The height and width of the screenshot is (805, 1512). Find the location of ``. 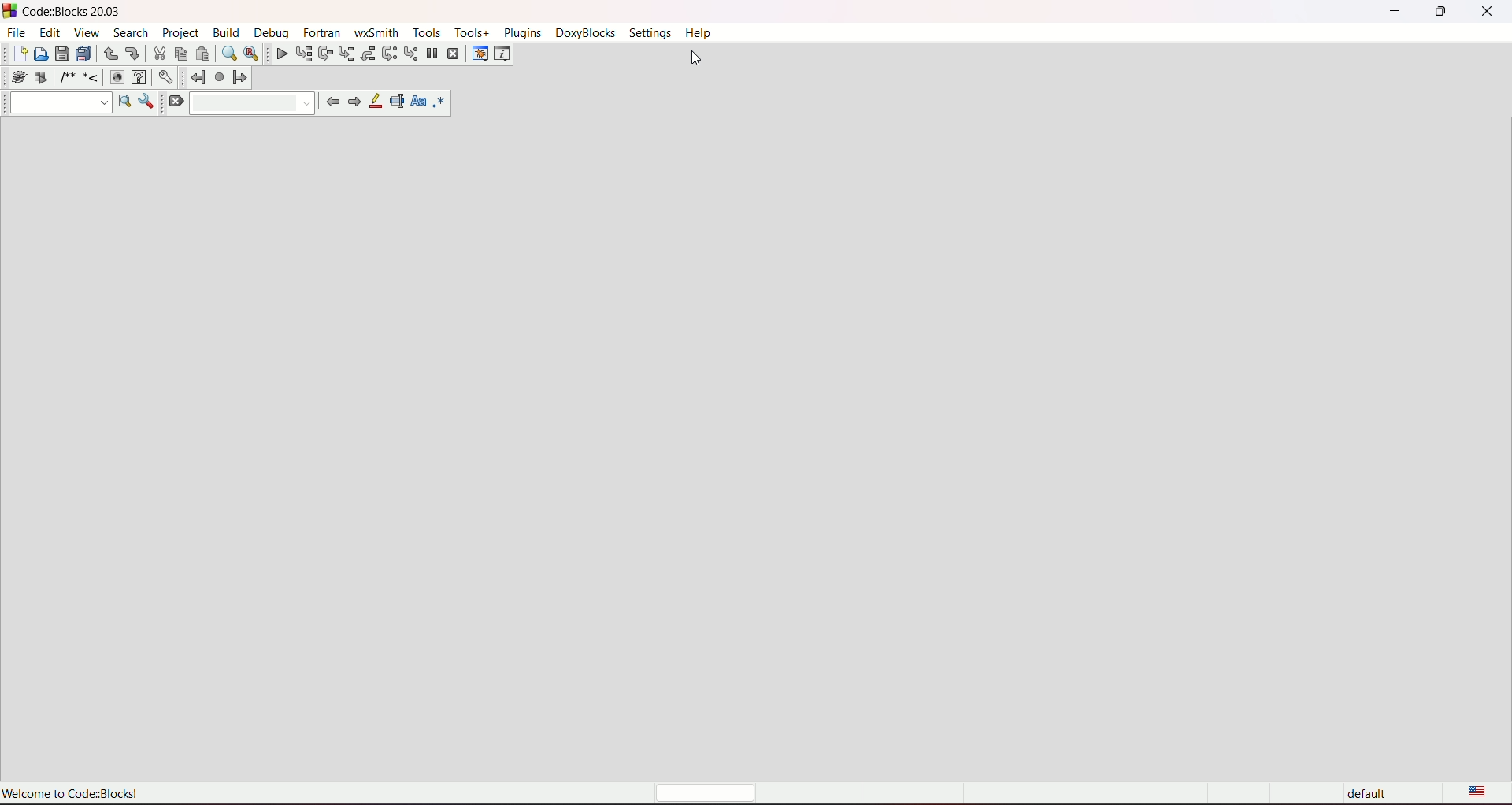

 is located at coordinates (139, 76).